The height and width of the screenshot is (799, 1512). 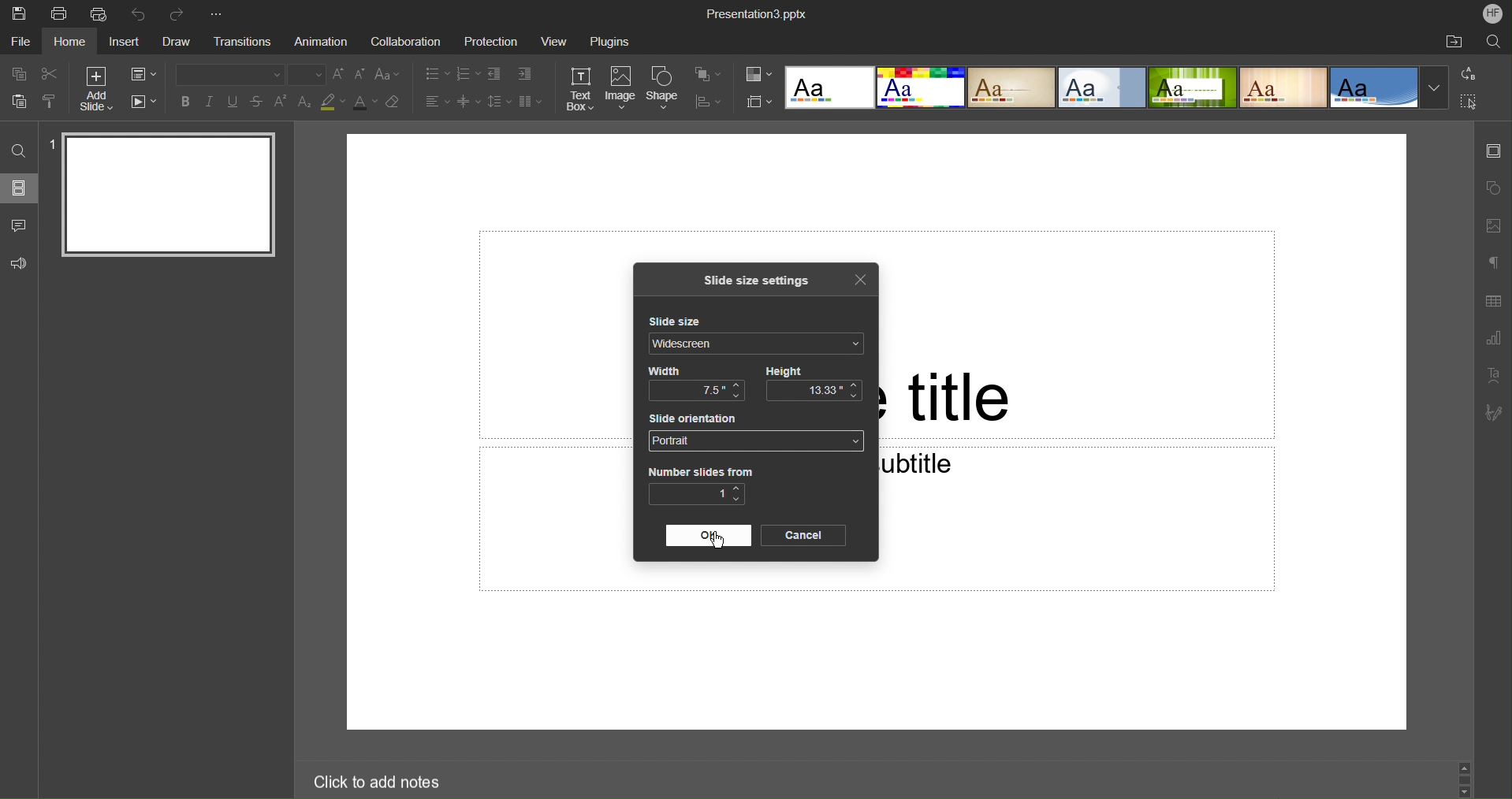 What do you see at coordinates (211, 103) in the screenshot?
I see `Italics` at bounding box center [211, 103].